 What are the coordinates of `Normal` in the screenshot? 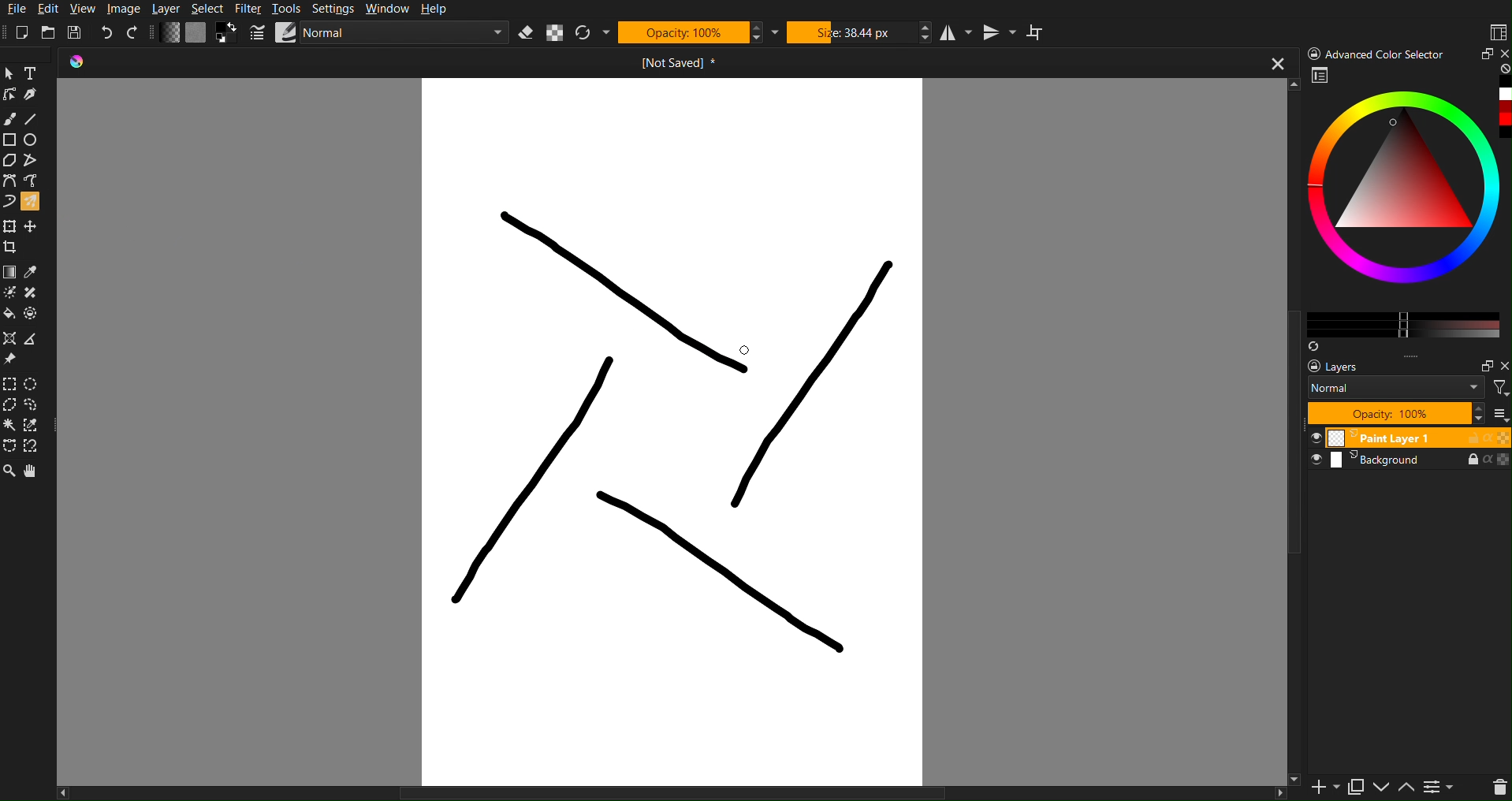 It's located at (1396, 387).